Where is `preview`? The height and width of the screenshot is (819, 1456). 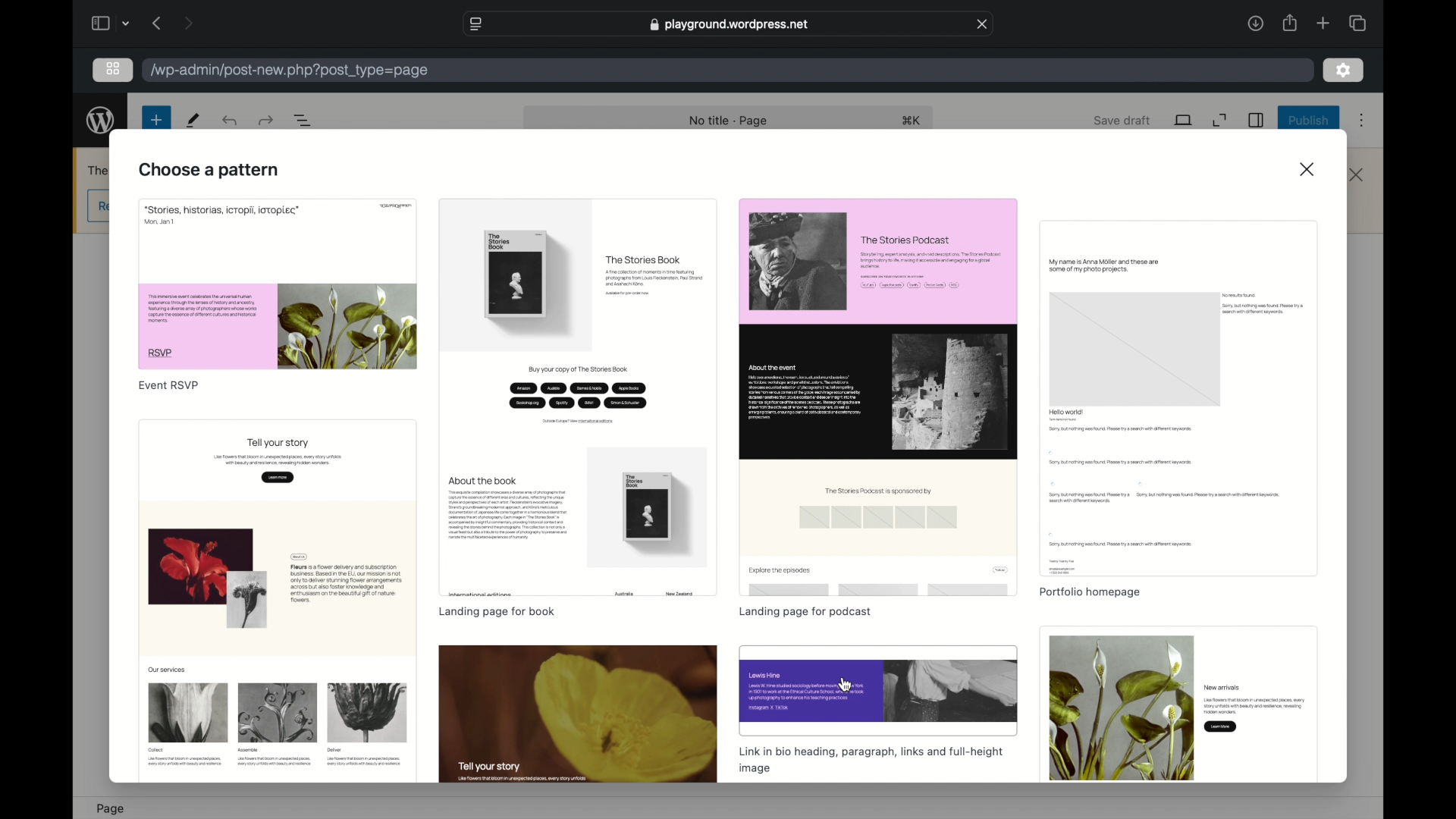
preview is located at coordinates (579, 714).